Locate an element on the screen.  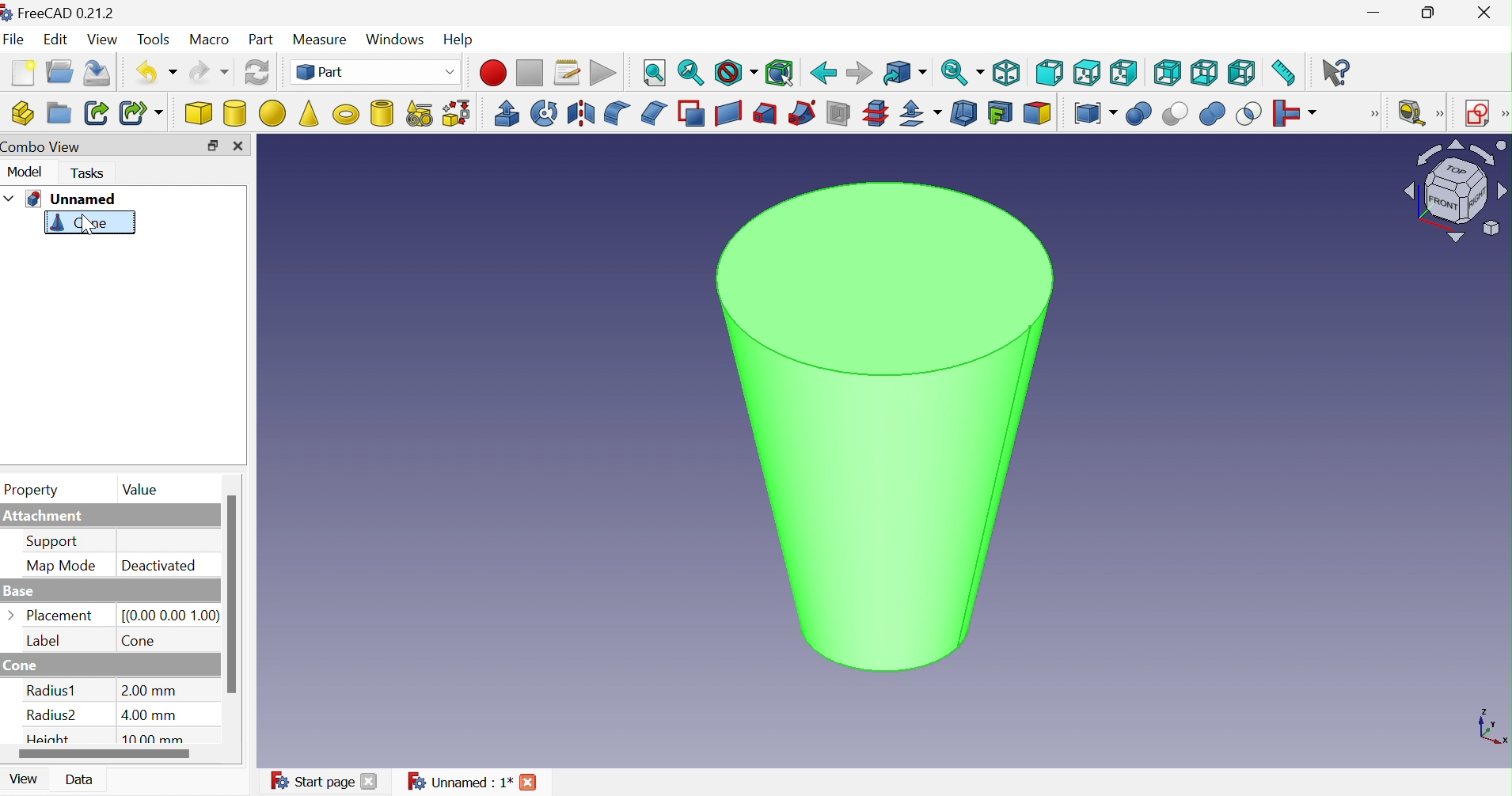
Loft is located at coordinates (765, 114).